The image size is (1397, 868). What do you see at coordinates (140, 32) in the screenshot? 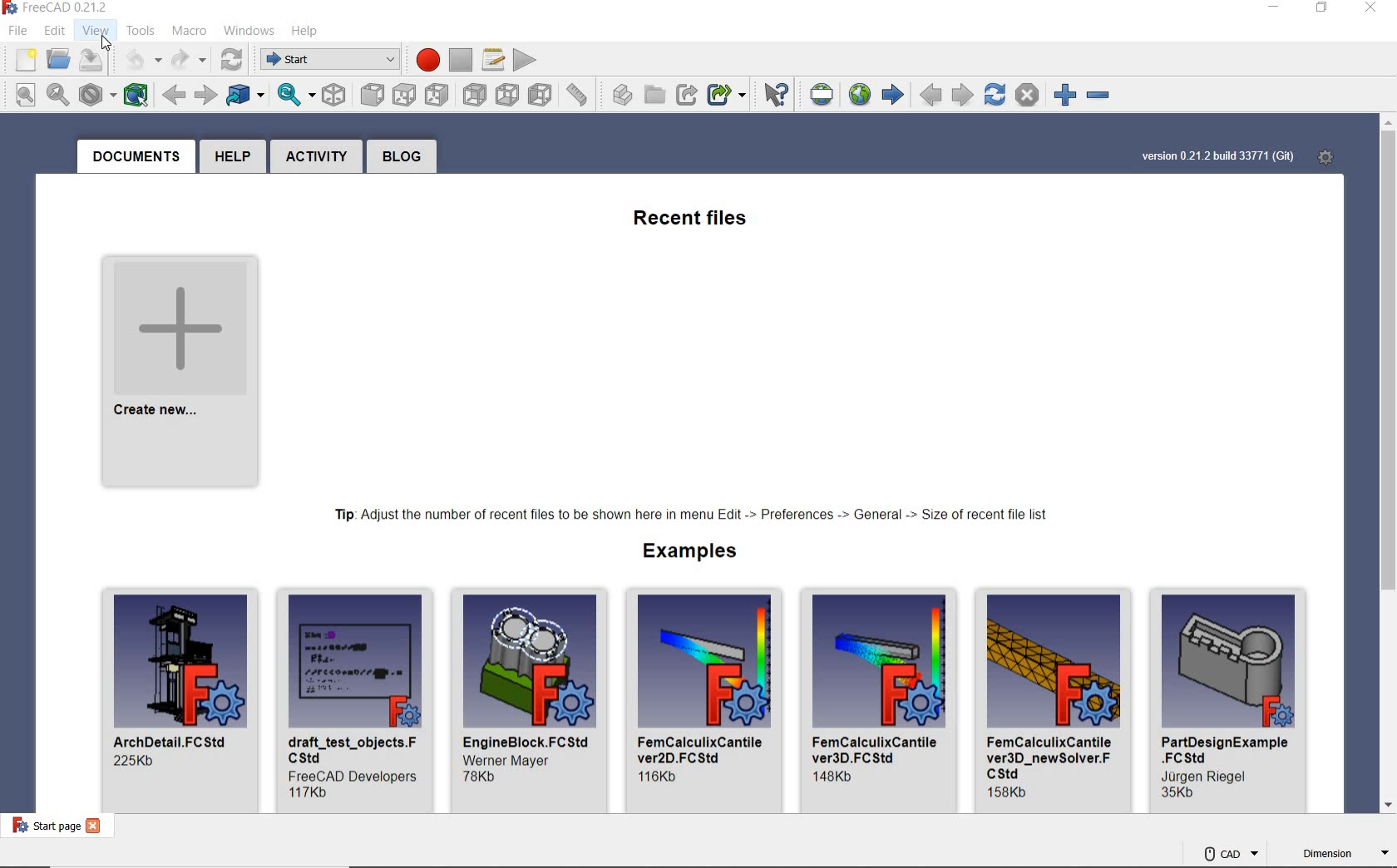
I see `tools` at bounding box center [140, 32].